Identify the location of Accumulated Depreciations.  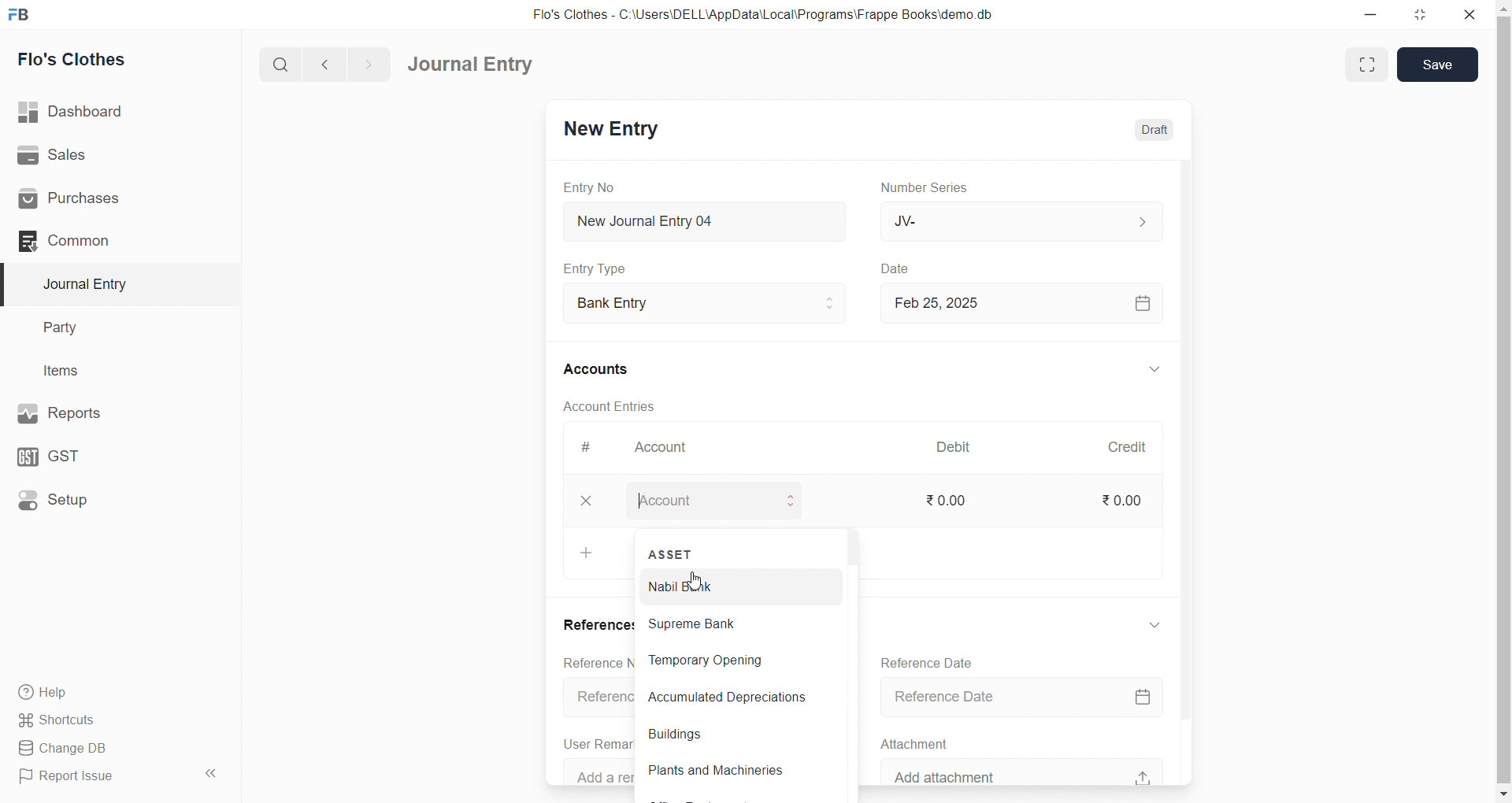
(734, 698).